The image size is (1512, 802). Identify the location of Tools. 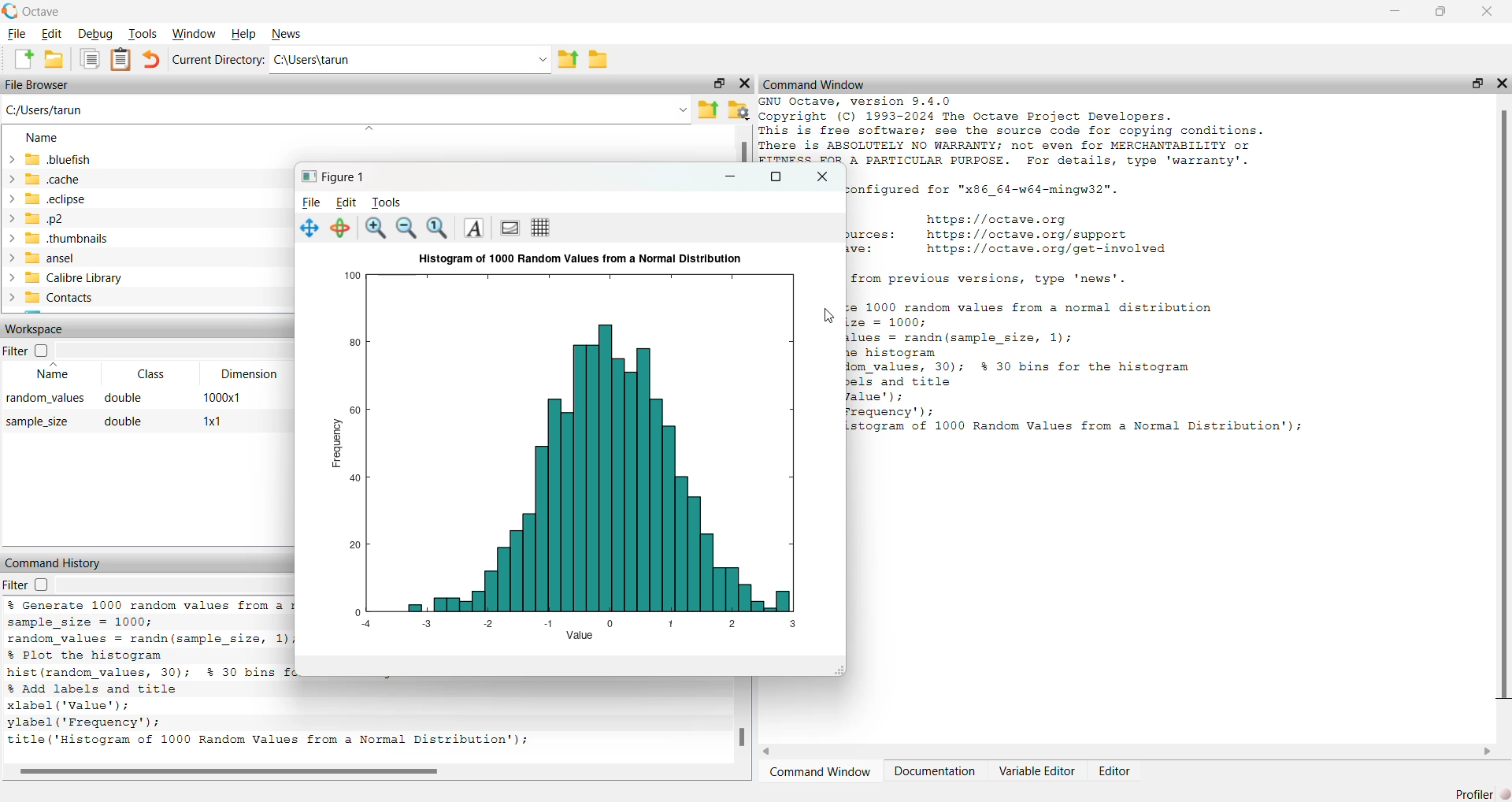
(141, 33).